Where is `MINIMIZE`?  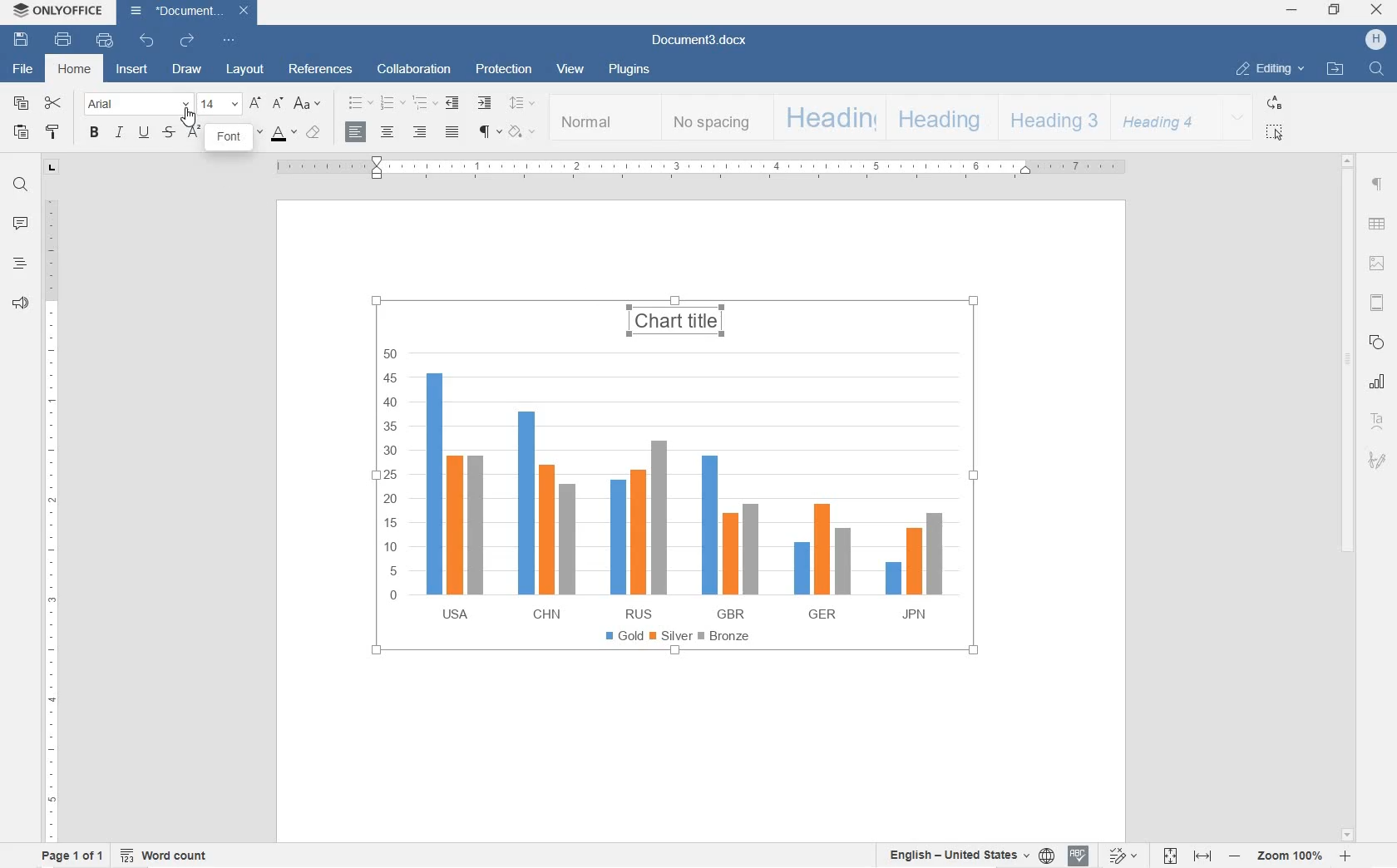 MINIMIZE is located at coordinates (1293, 11).